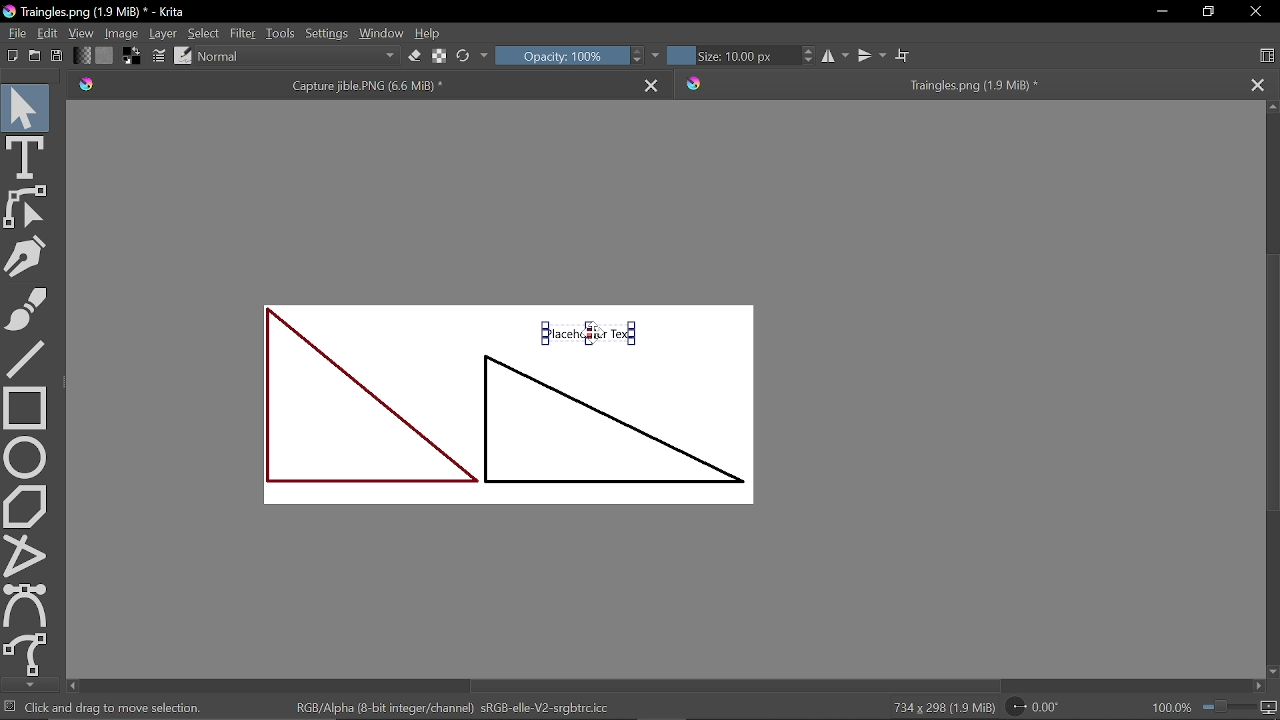 The height and width of the screenshot is (720, 1280). Describe the element at coordinates (1255, 13) in the screenshot. I see `Close` at that location.